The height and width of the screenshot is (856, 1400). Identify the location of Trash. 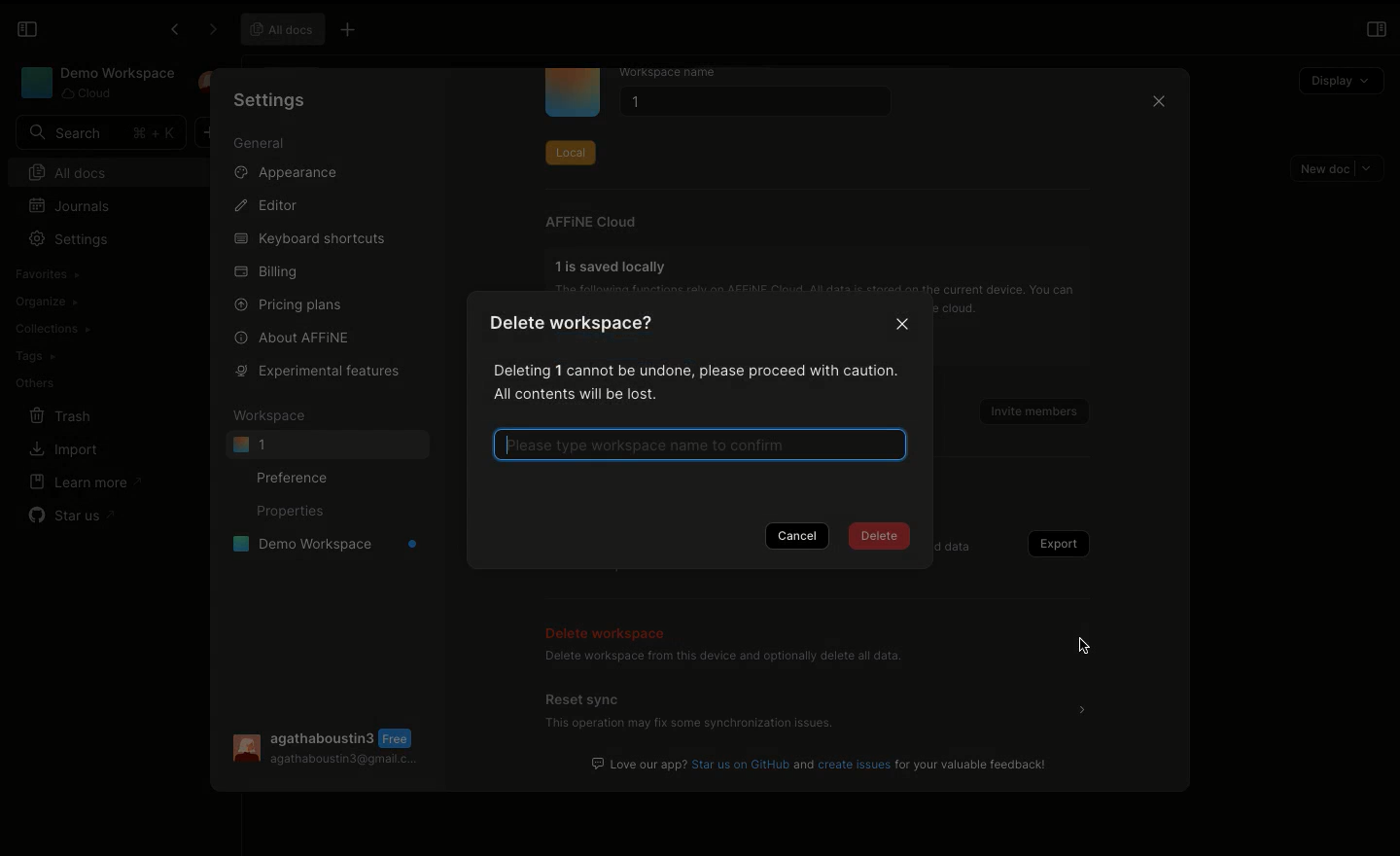
(62, 415).